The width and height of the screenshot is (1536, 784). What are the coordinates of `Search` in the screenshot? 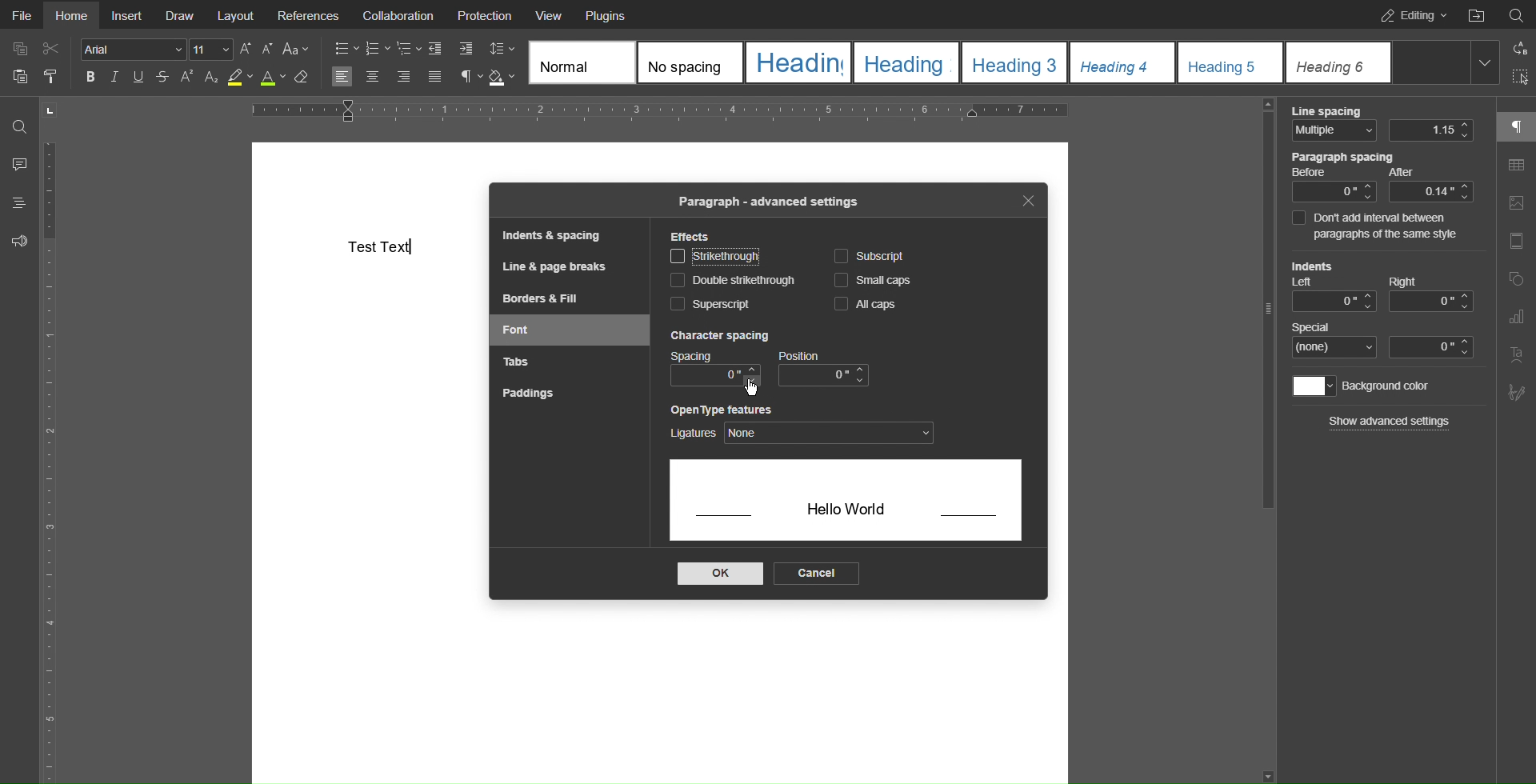 It's located at (19, 126).